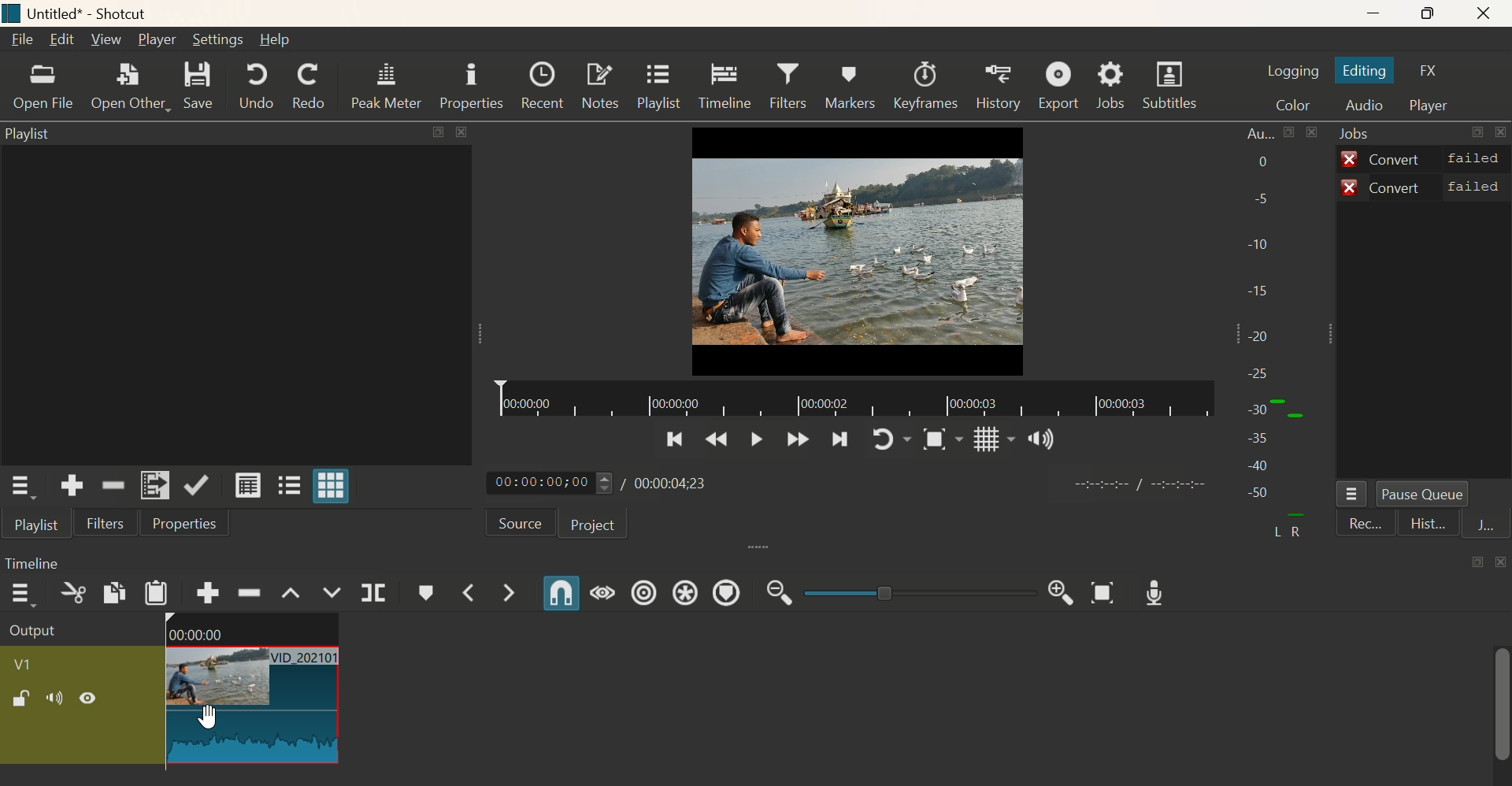  I want to click on Color, so click(1290, 102).